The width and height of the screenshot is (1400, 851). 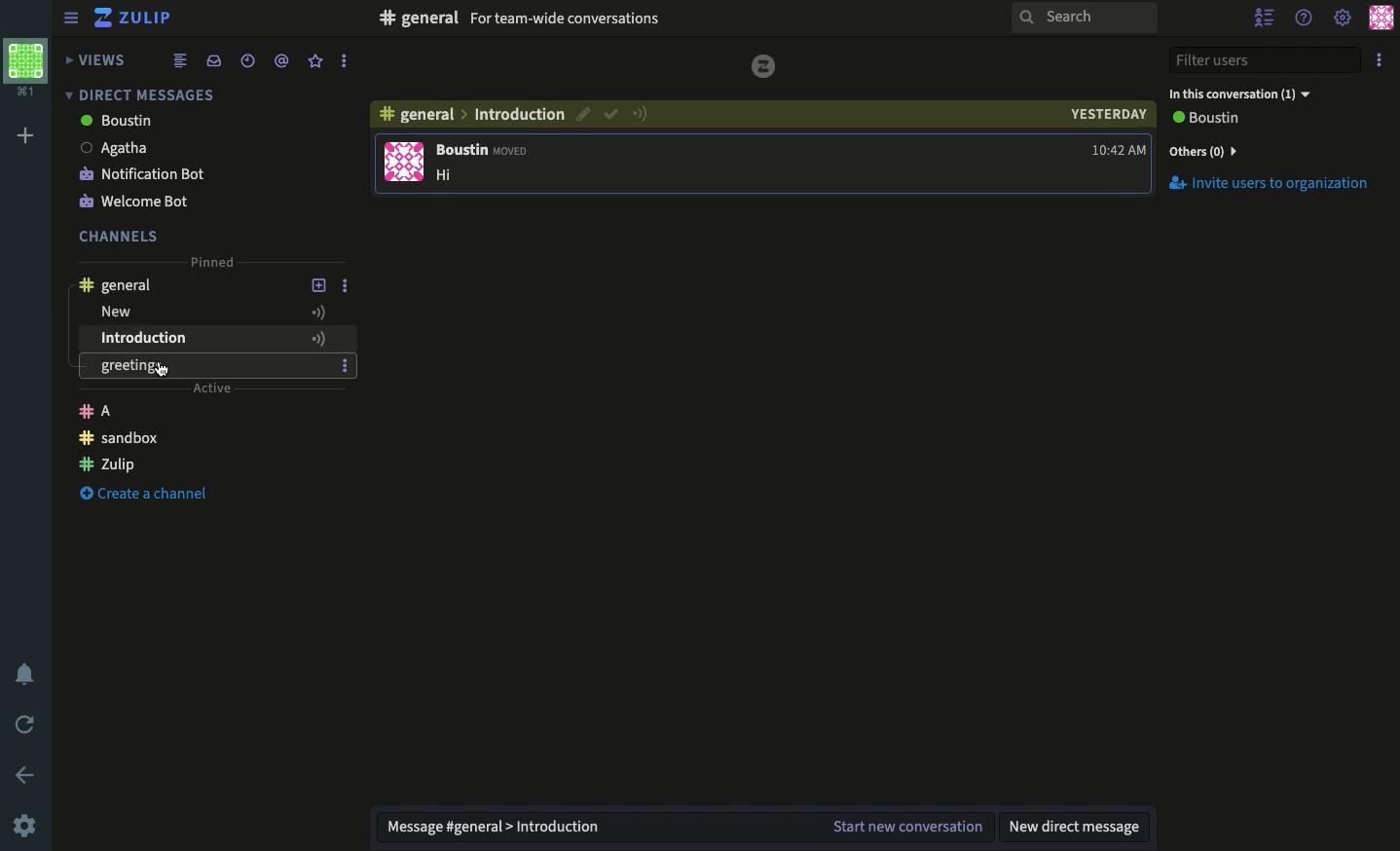 What do you see at coordinates (1204, 150) in the screenshot?
I see `others` at bounding box center [1204, 150].